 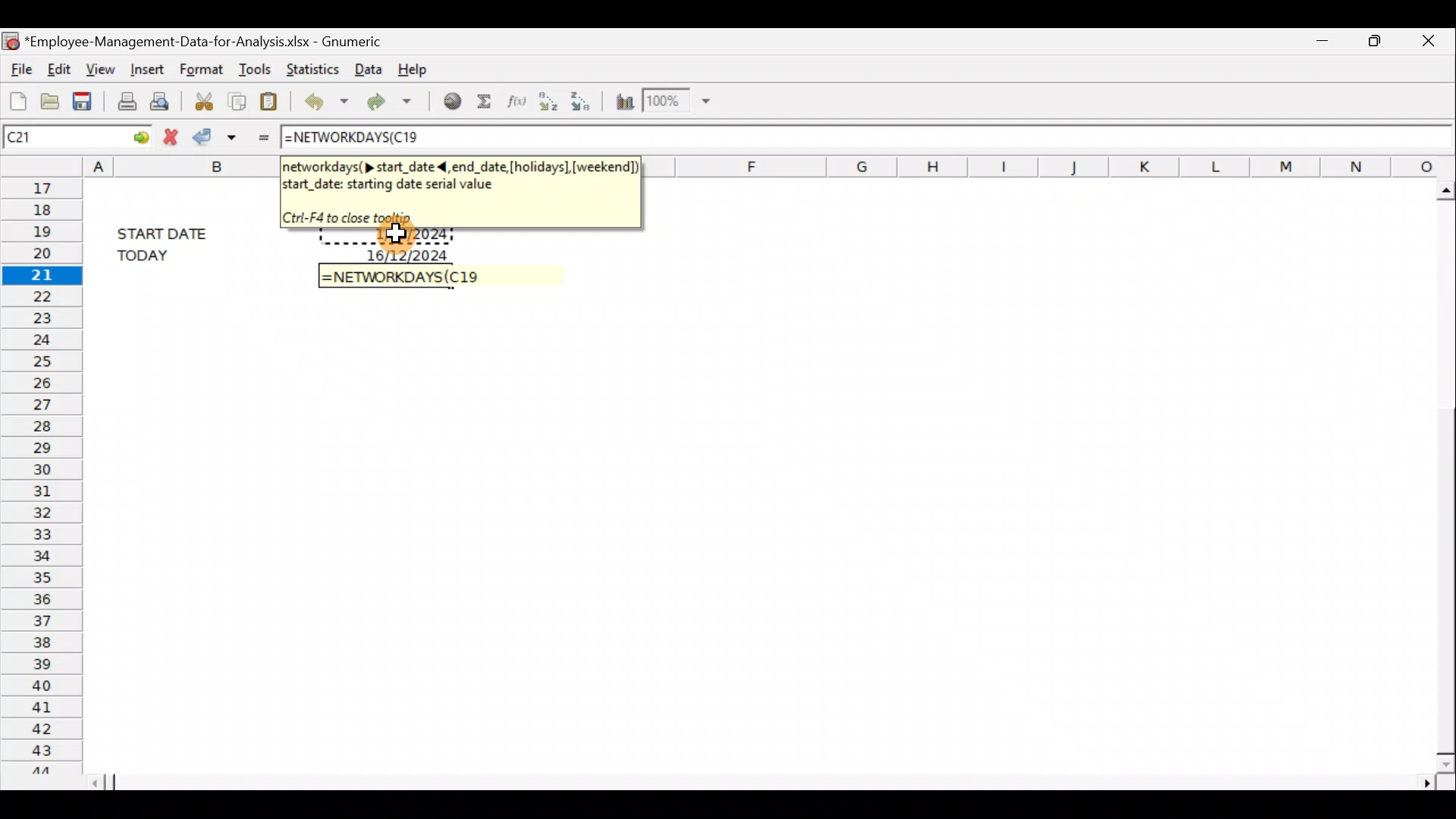 I want to click on Tools, so click(x=253, y=65).